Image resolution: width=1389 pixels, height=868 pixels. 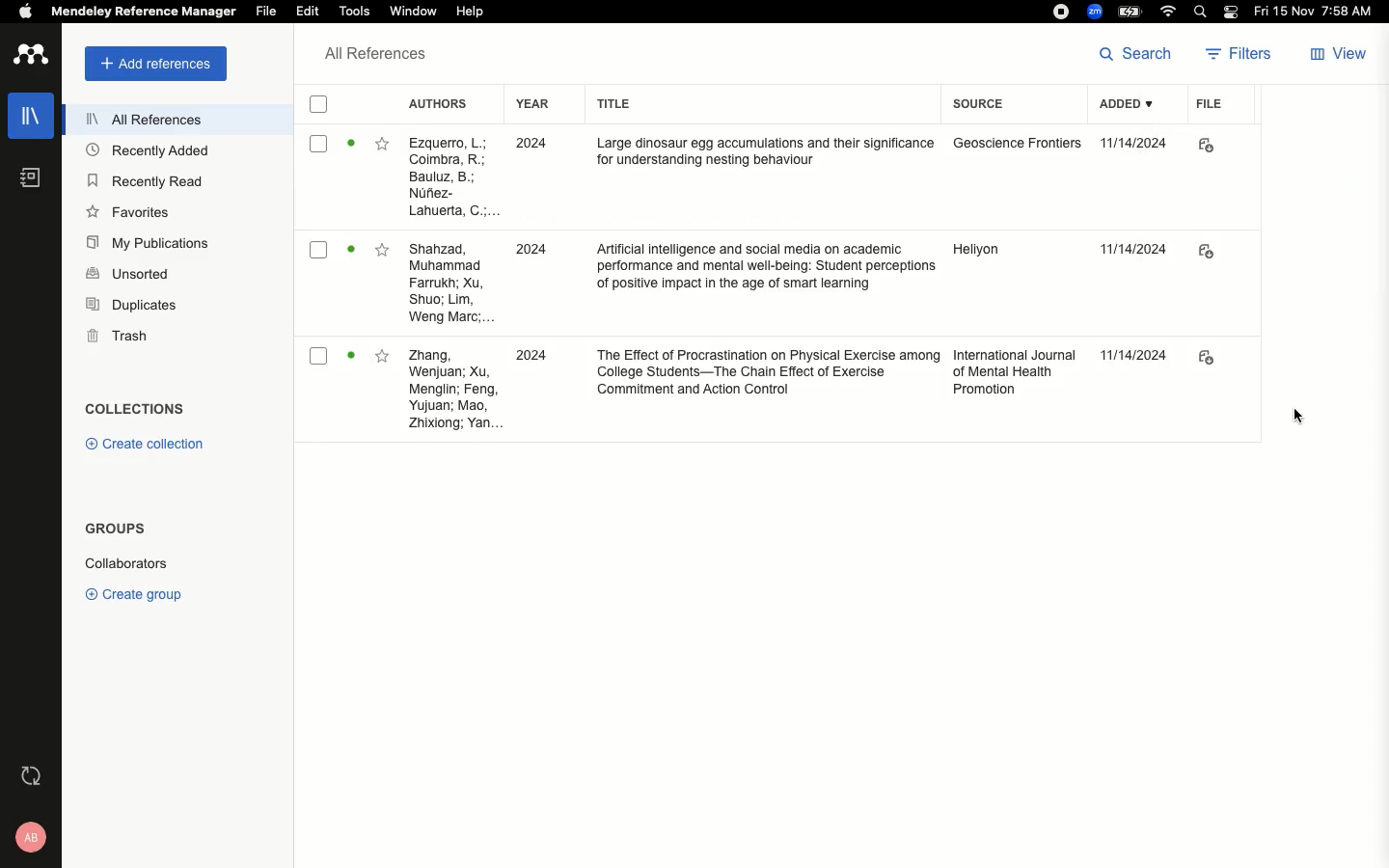 I want to click on Shahzad,
Muhammad
Farrukh; Xu,
Shuo; Lim,
Weng Marc;, so click(x=450, y=284).